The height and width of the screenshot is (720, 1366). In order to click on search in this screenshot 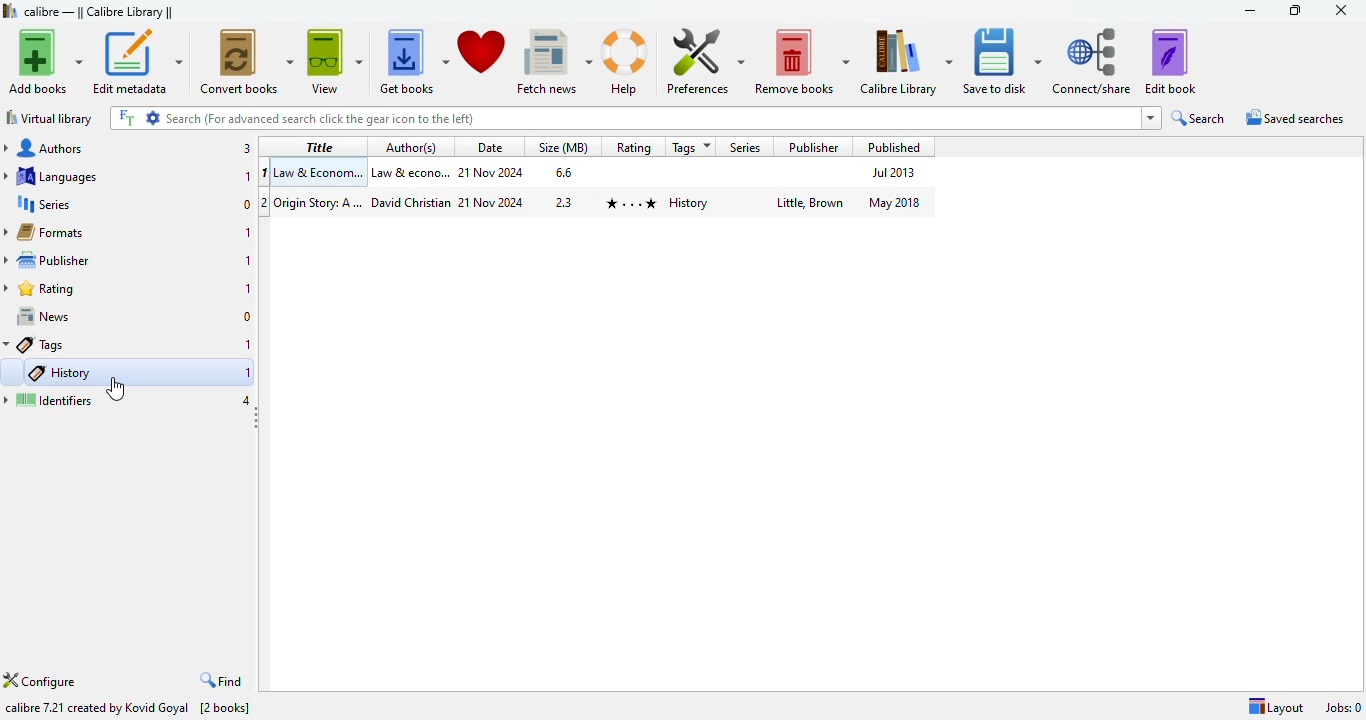, I will do `click(623, 118)`.